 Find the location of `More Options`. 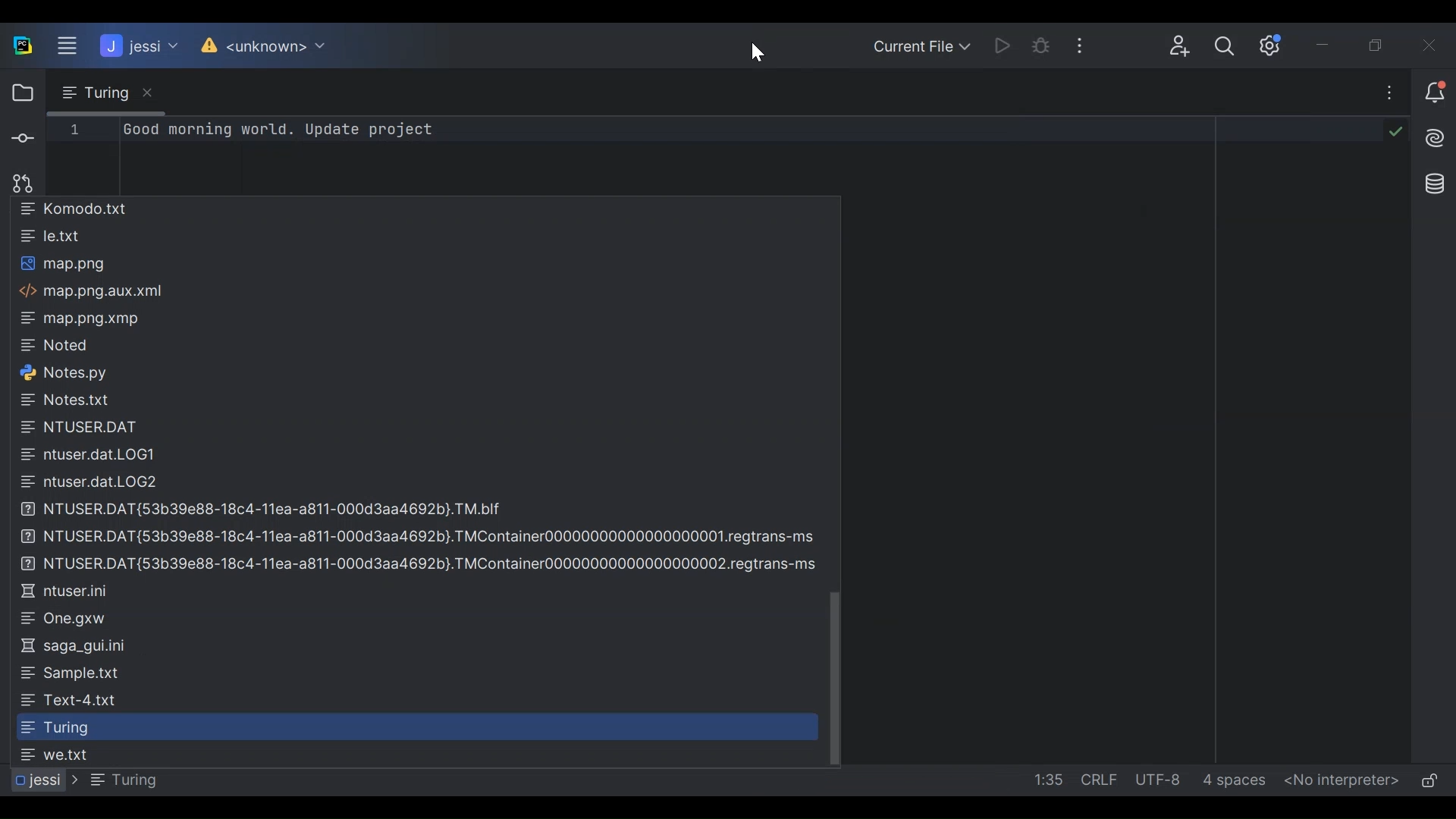

More Options is located at coordinates (1091, 45).